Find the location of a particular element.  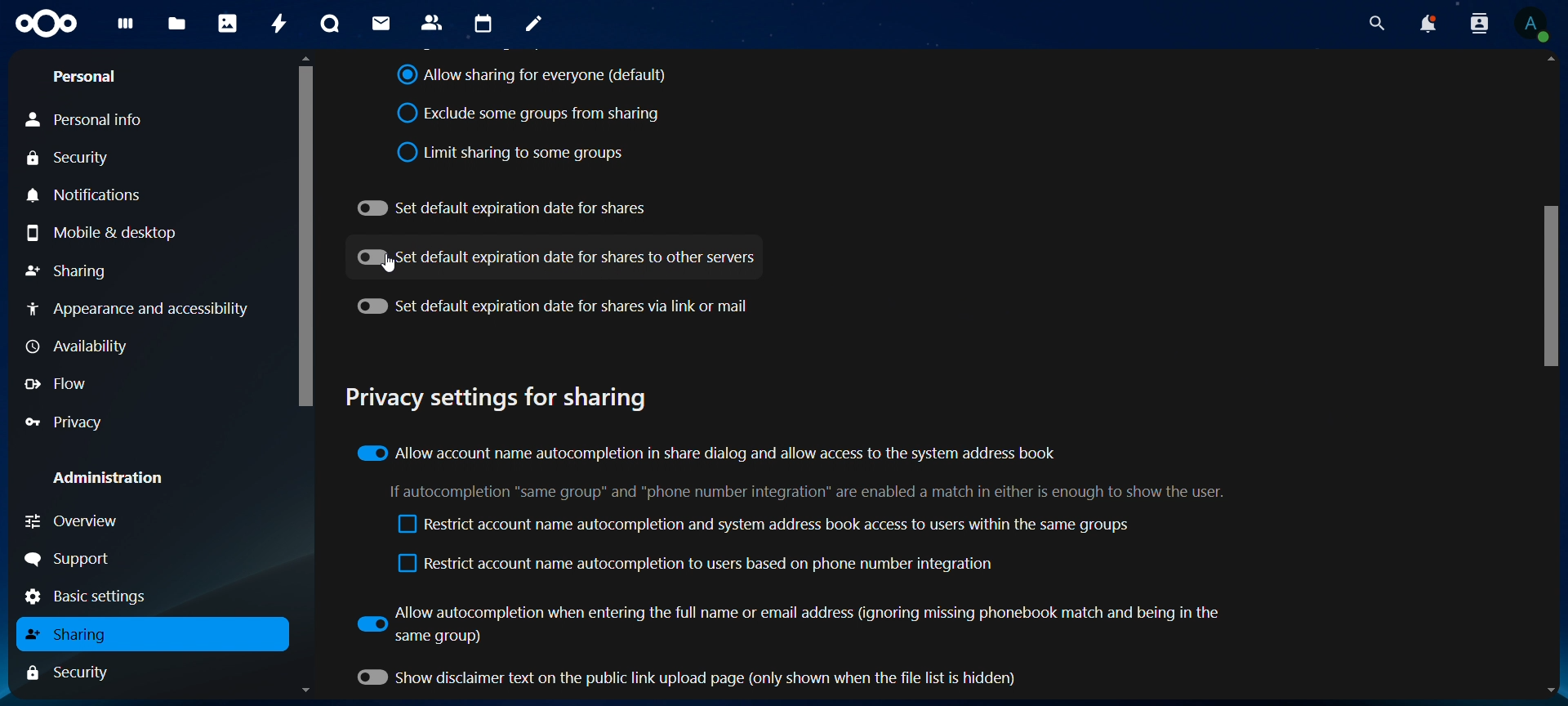

mobile & desktop is located at coordinates (116, 234).